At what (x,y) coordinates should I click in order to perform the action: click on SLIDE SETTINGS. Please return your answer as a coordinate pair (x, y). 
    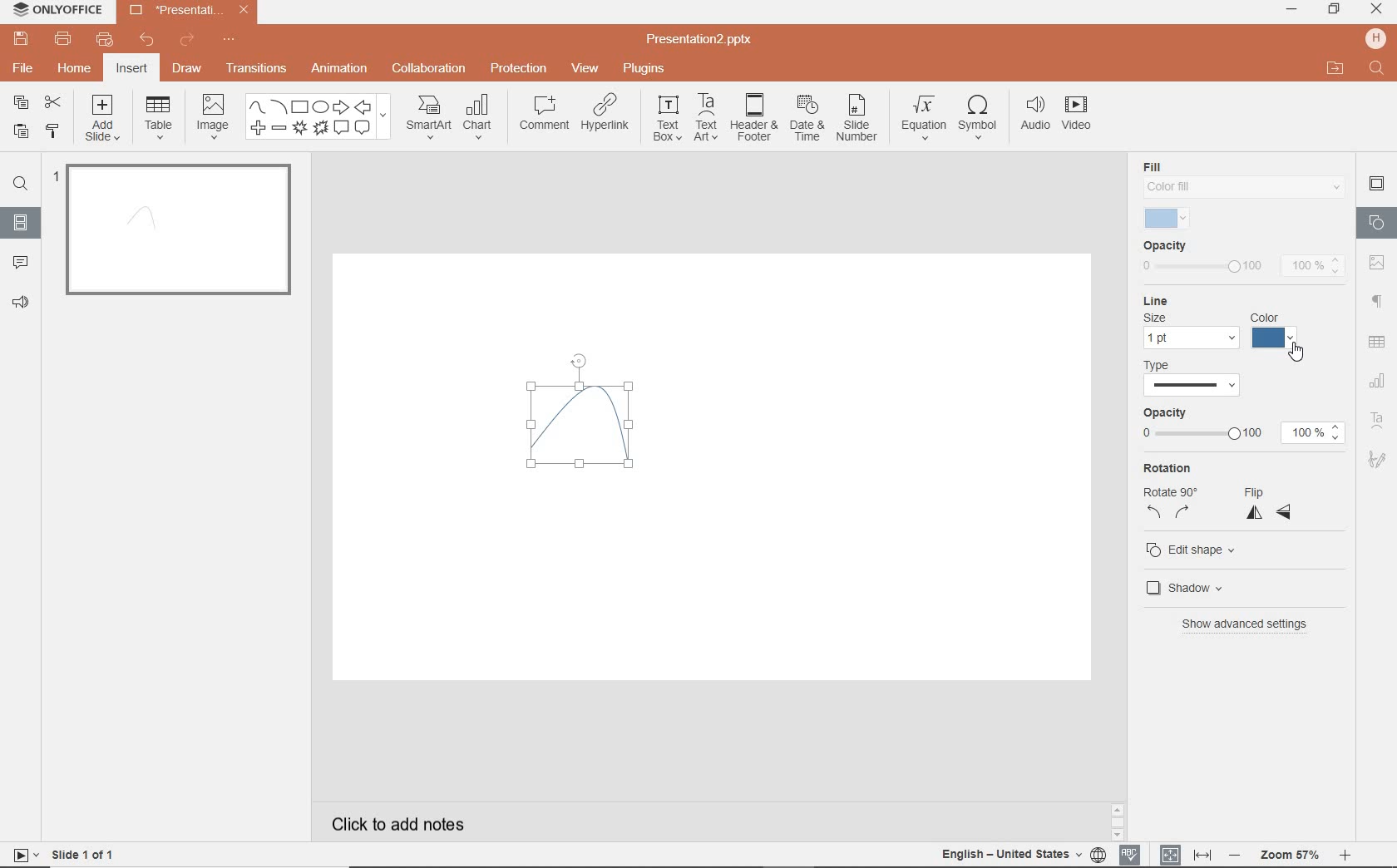
    Looking at the image, I should click on (1378, 185).